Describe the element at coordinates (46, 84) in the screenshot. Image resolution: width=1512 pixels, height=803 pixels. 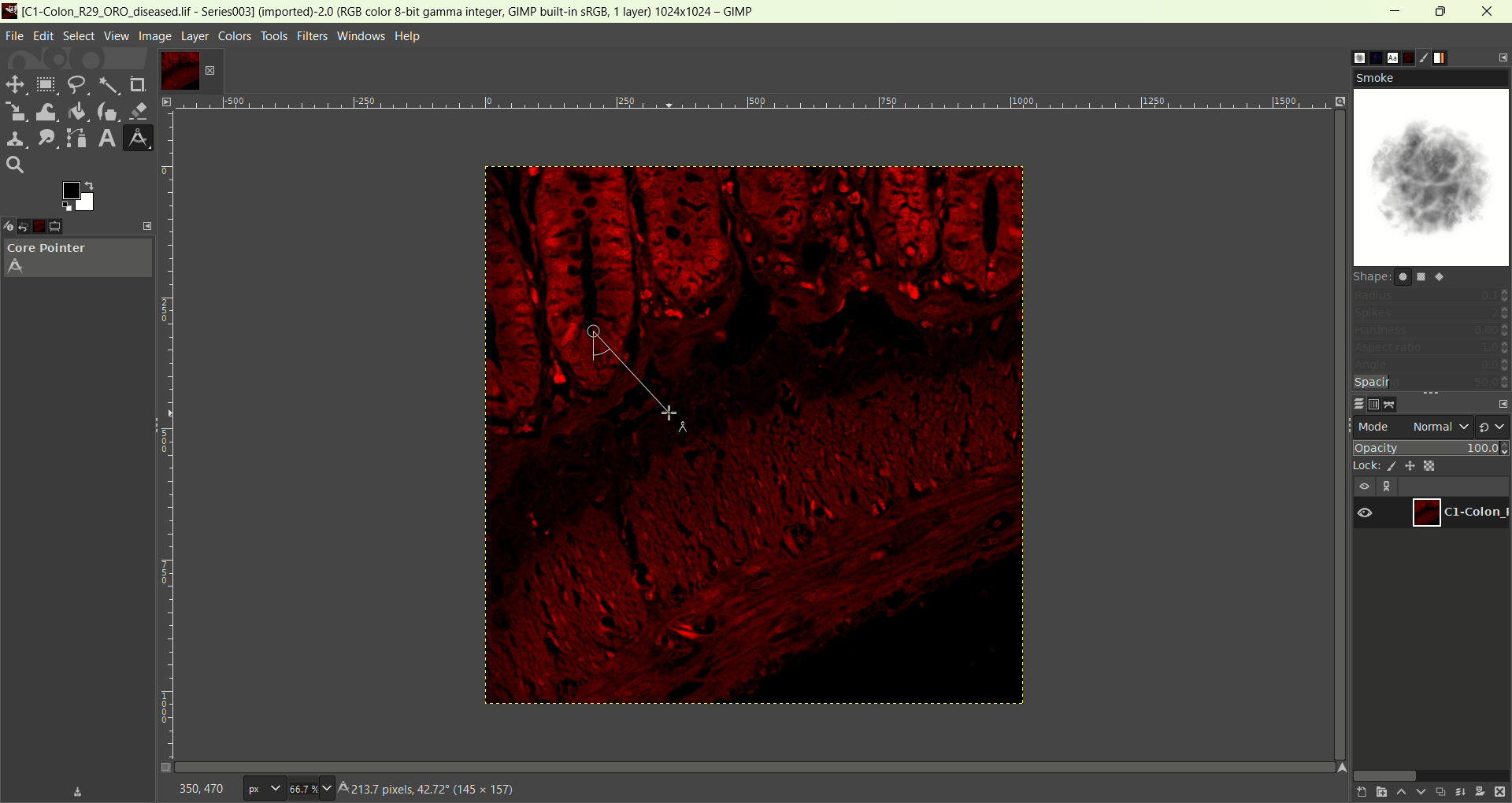
I see `rectangle select tool` at that location.